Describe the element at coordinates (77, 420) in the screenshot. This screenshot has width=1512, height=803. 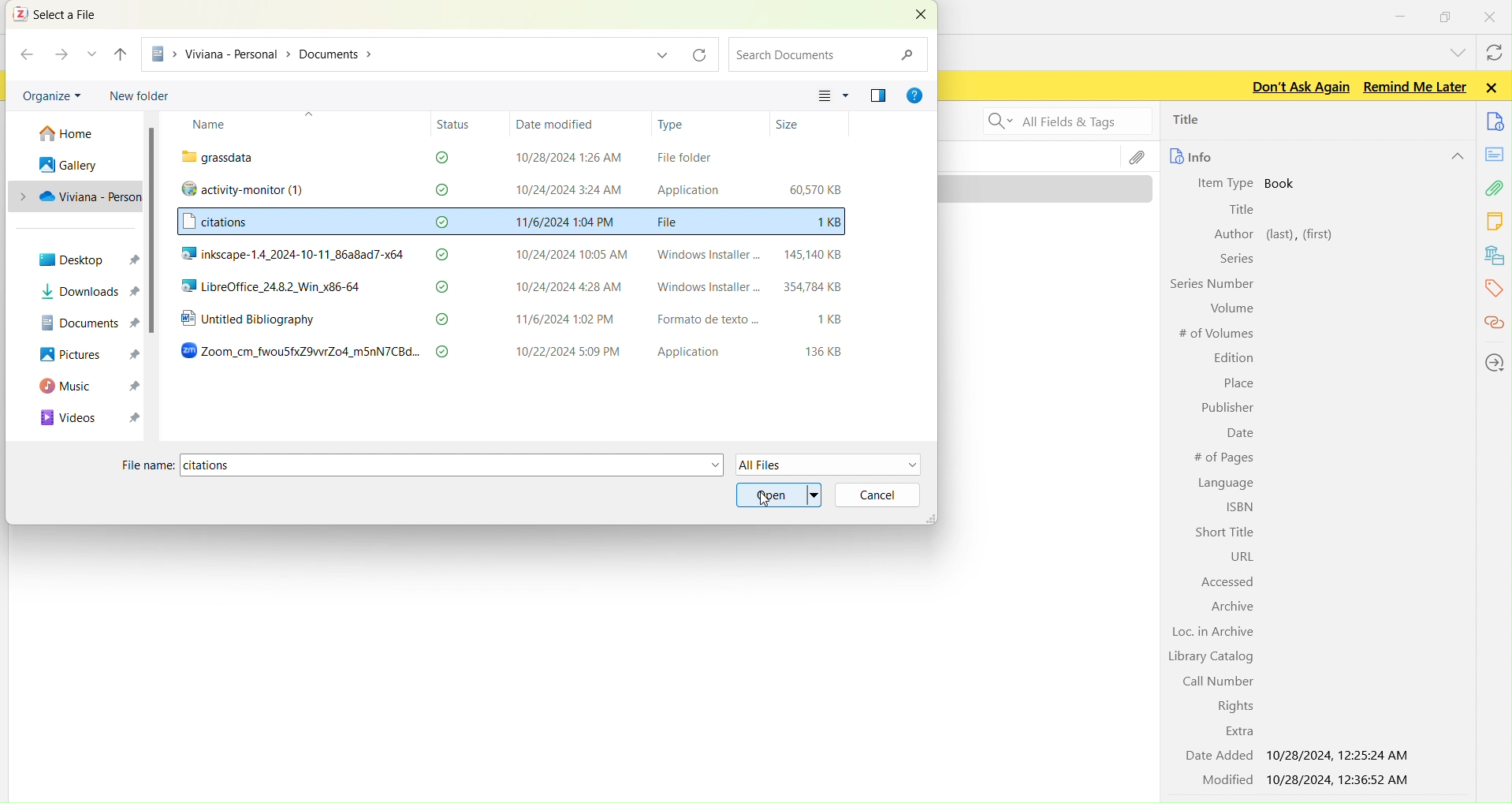
I see `VIDEOS` at that location.